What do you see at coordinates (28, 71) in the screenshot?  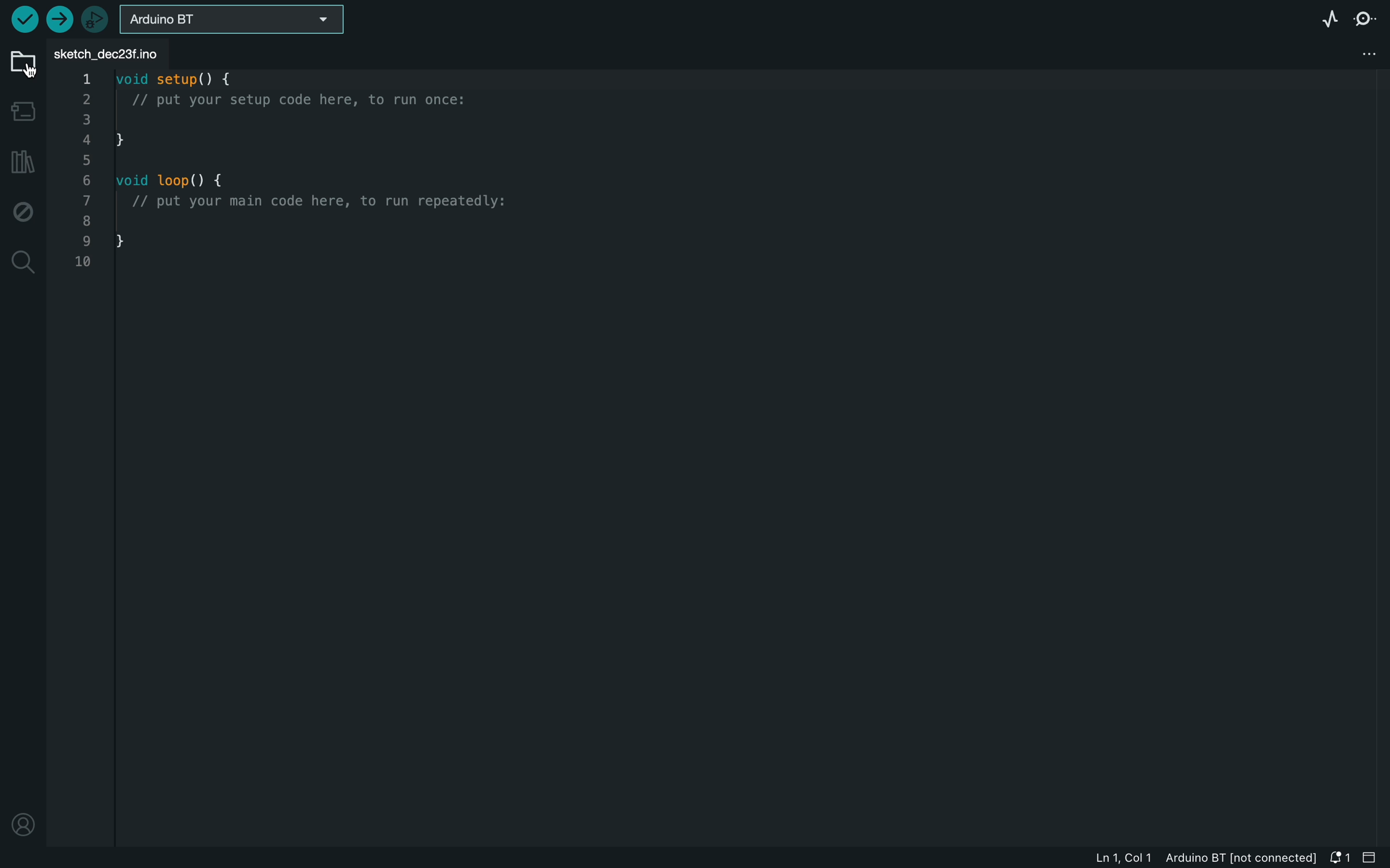 I see `cursor` at bounding box center [28, 71].